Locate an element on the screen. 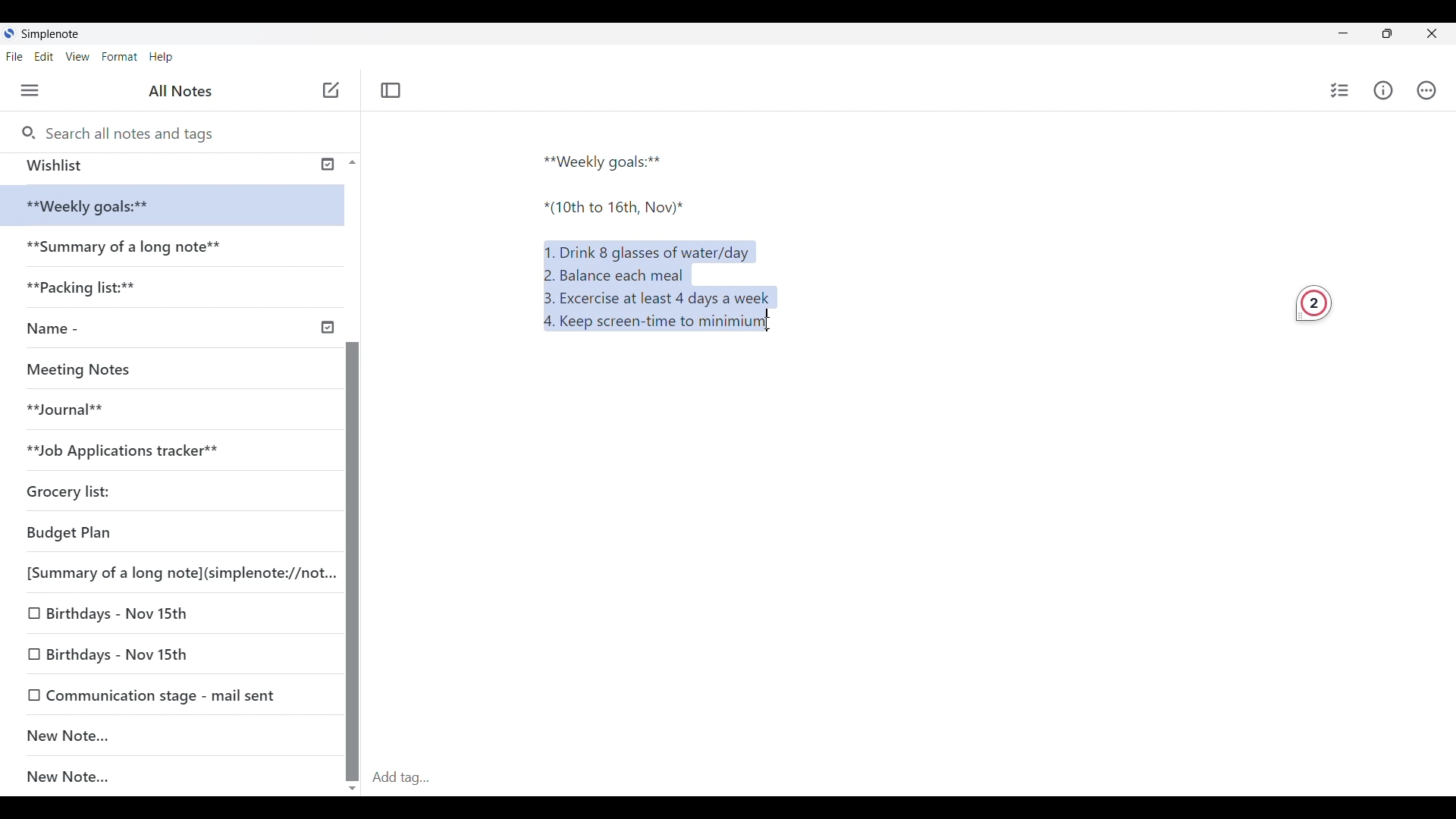 The width and height of the screenshot is (1456, 819). *(10th to 16th, Nov)* is located at coordinates (615, 211).